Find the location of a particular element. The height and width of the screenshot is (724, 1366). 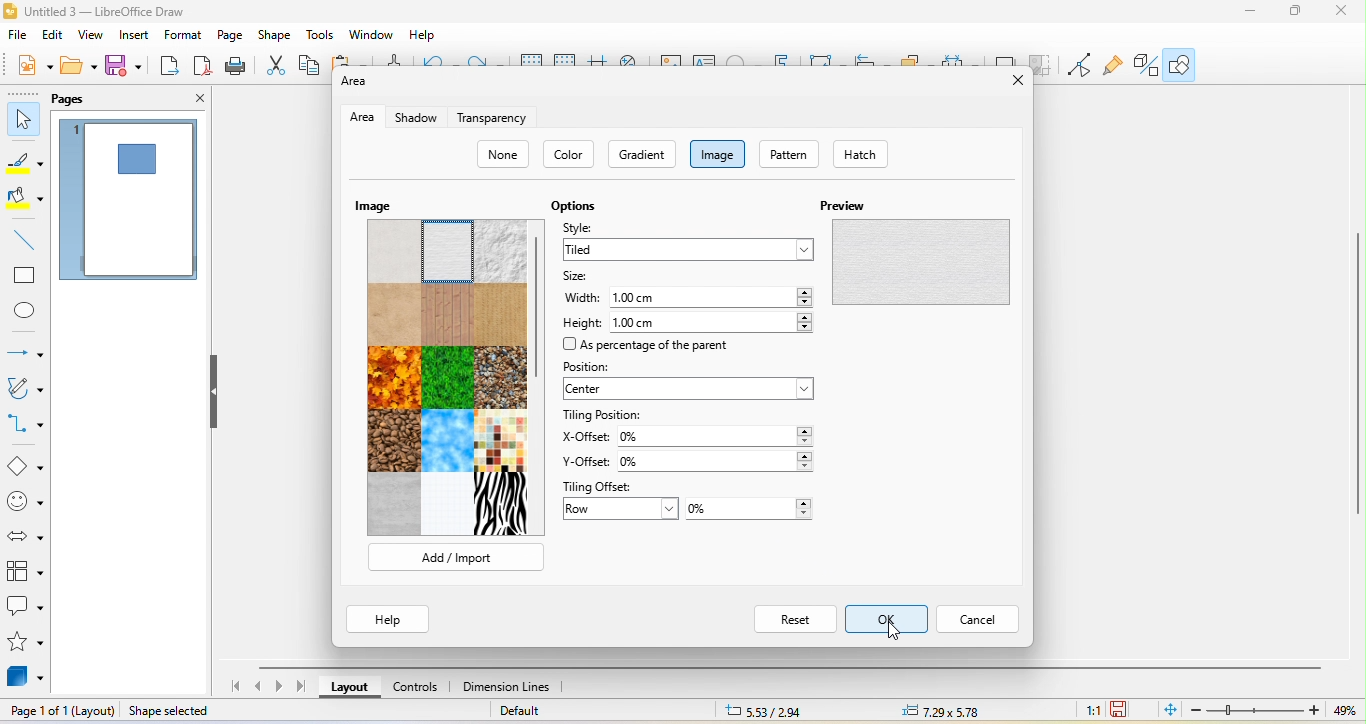

redo is located at coordinates (487, 61).